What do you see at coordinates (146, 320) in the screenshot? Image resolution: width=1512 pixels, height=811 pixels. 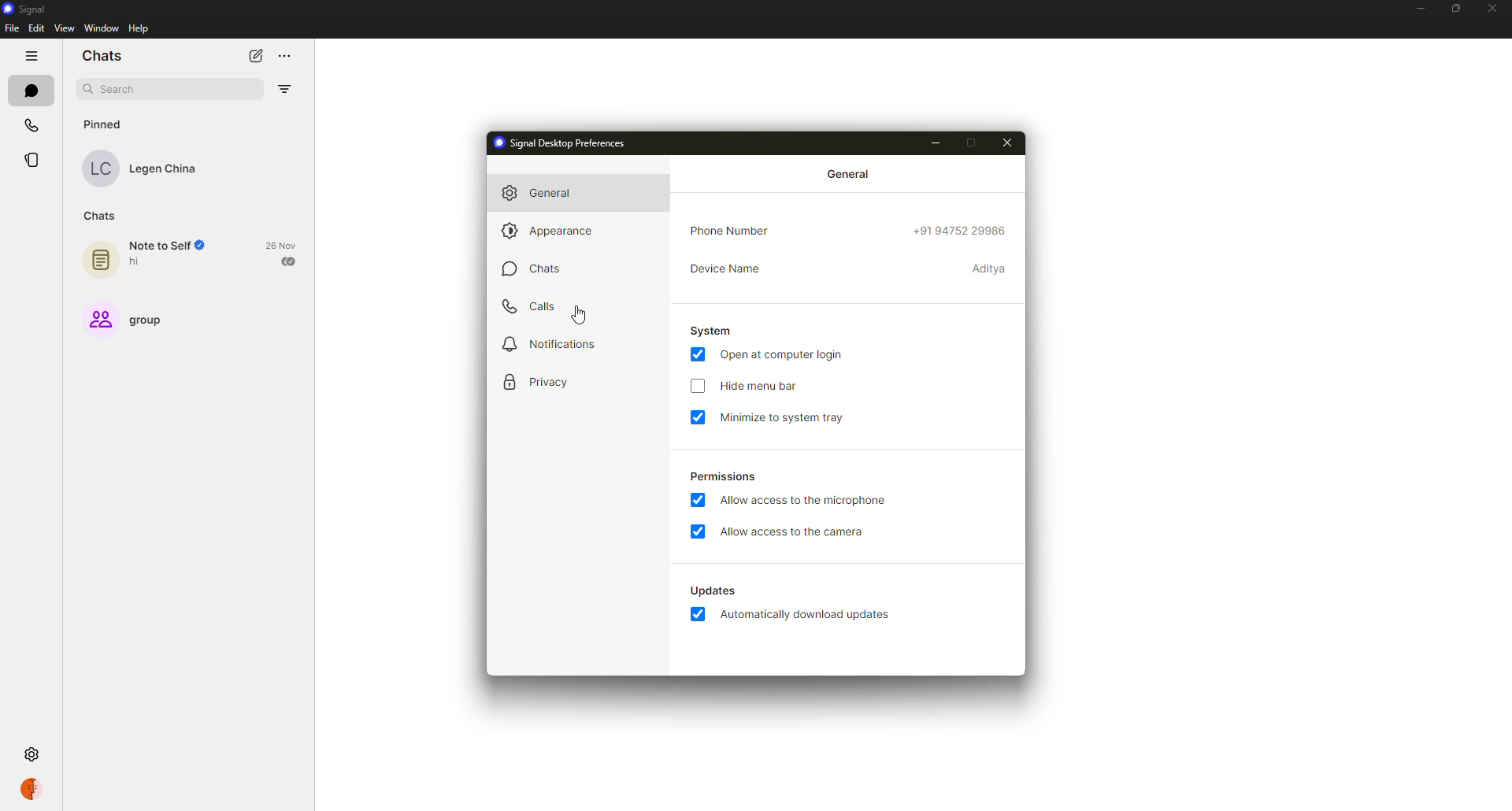 I see `group` at bounding box center [146, 320].